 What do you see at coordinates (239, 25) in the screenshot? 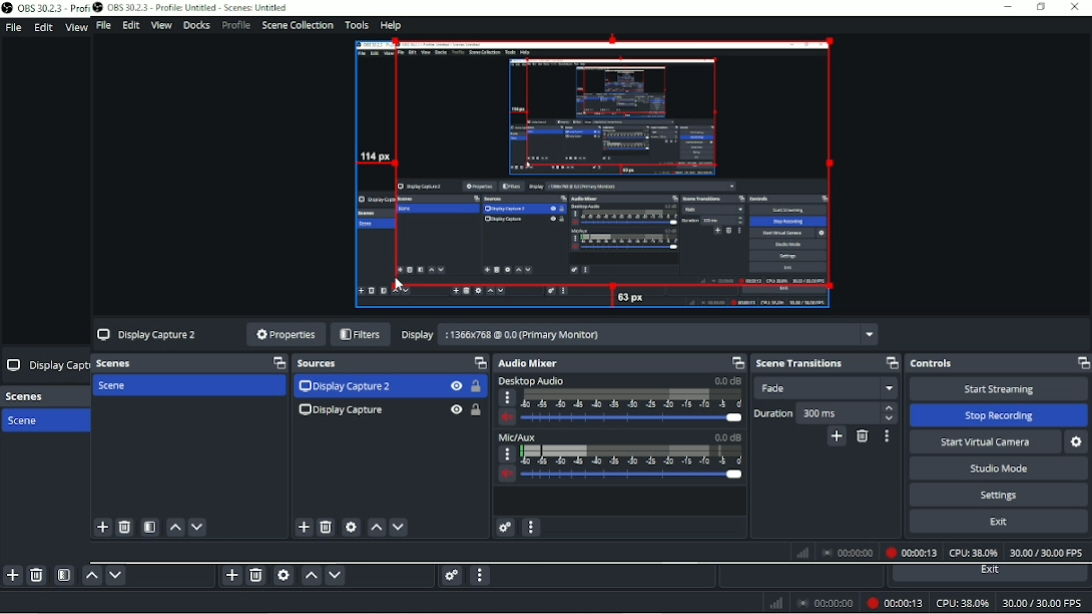
I see `Profile` at bounding box center [239, 25].